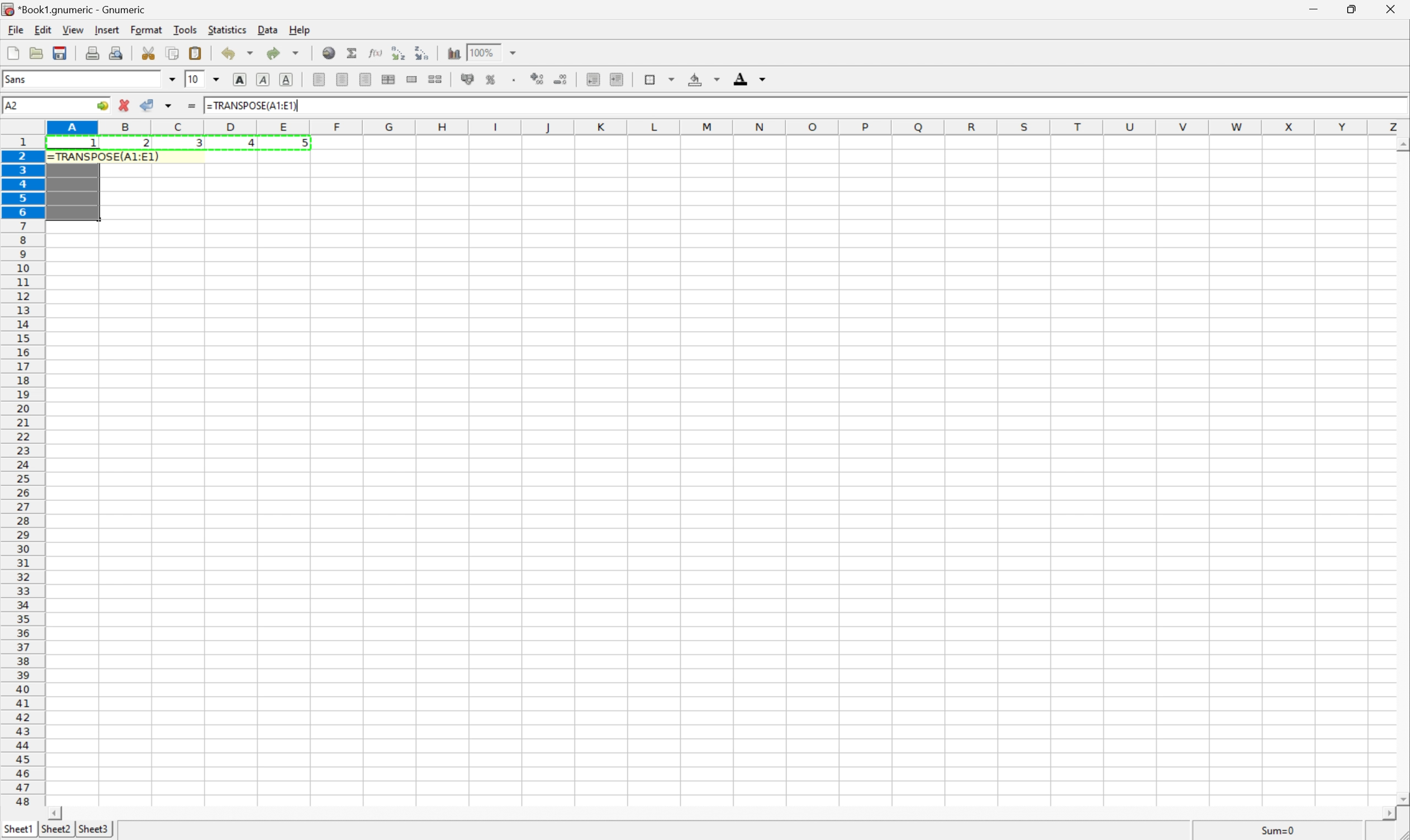 This screenshot has height=840, width=1410. What do you see at coordinates (539, 79) in the screenshot?
I see `increase number of decimals displayed` at bounding box center [539, 79].